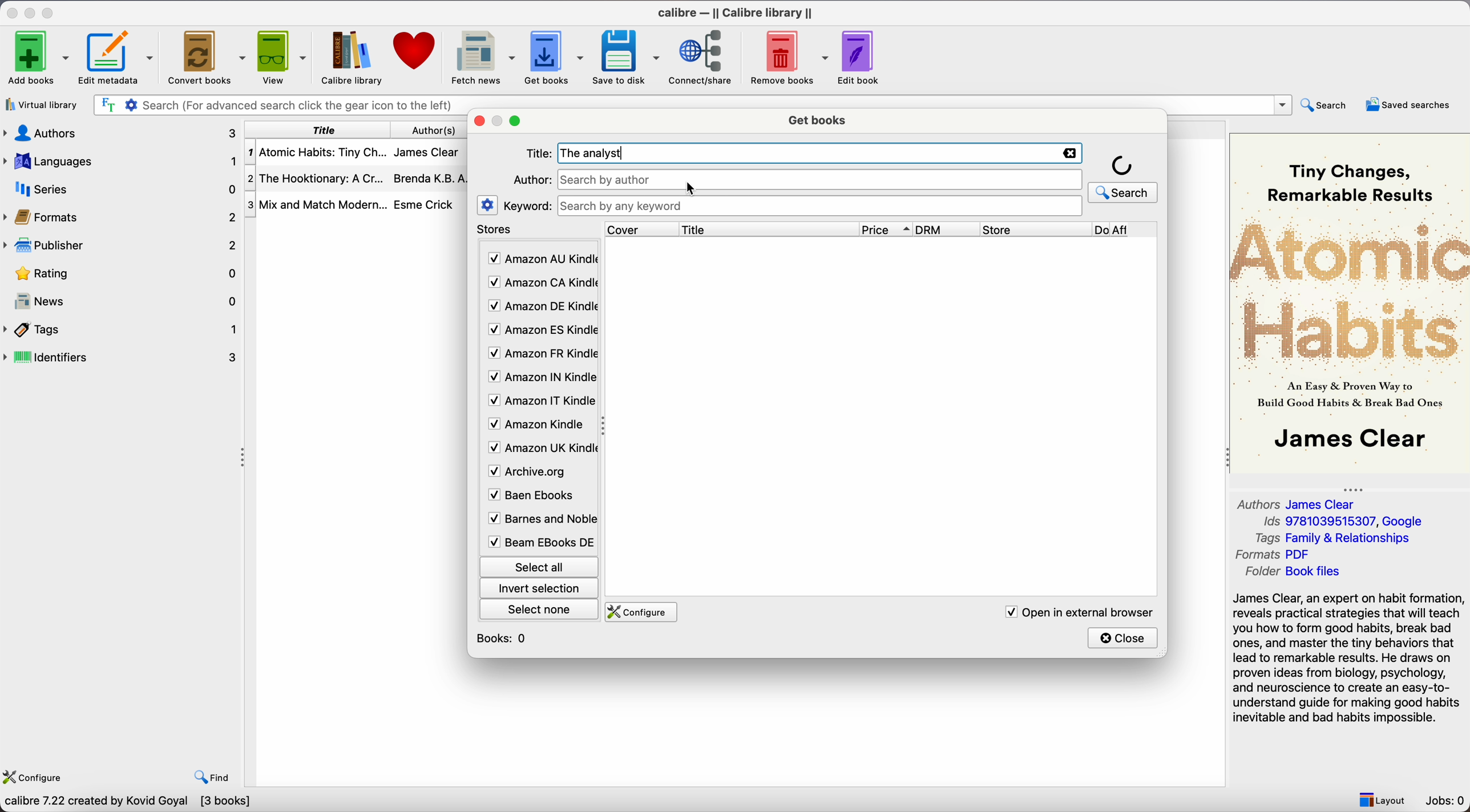  Describe the element at coordinates (689, 103) in the screenshot. I see `search bar` at that location.